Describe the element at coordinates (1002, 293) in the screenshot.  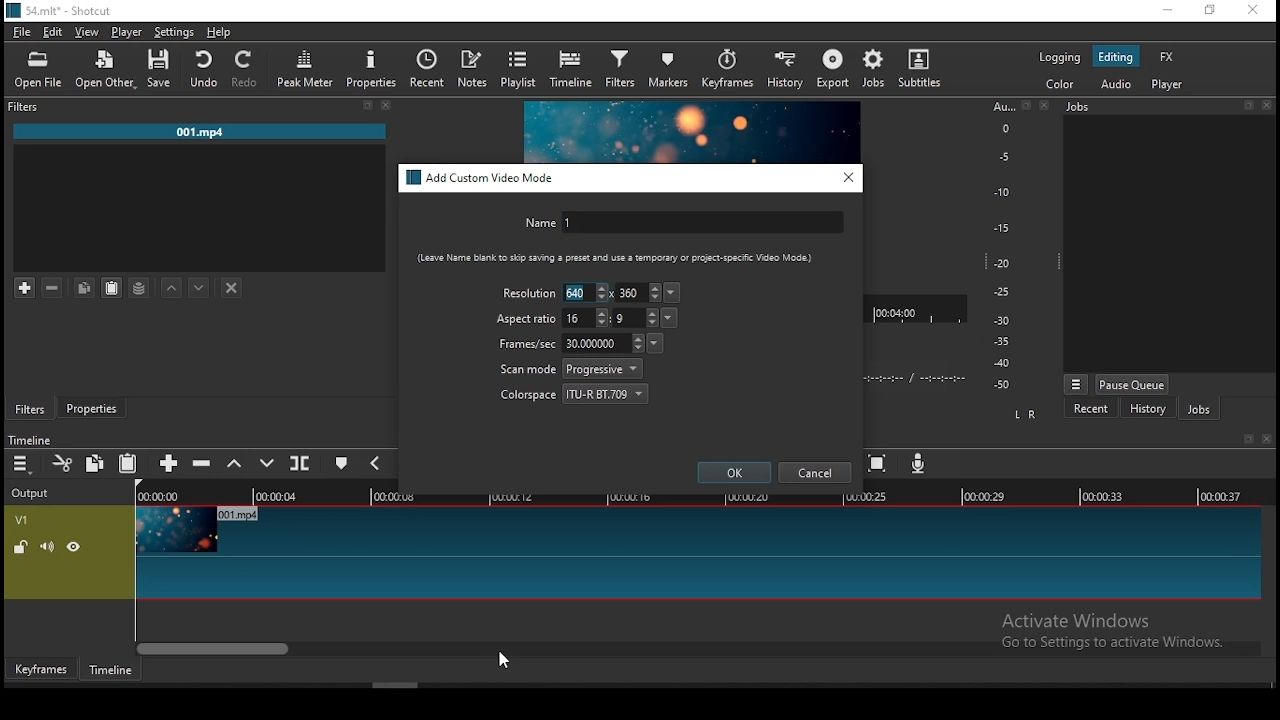
I see `-25` at that location.